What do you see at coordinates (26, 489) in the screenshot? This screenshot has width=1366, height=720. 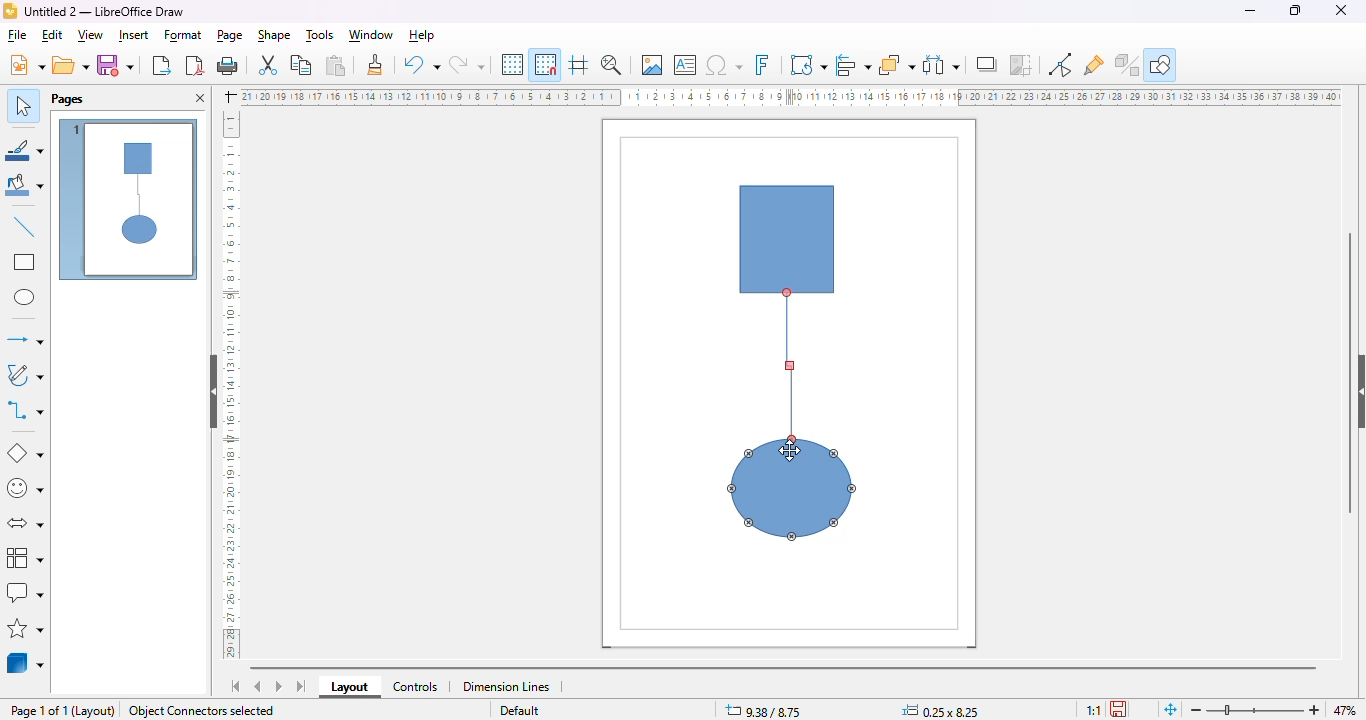 I see `symbol shapes` at bounding box center [26, 489].